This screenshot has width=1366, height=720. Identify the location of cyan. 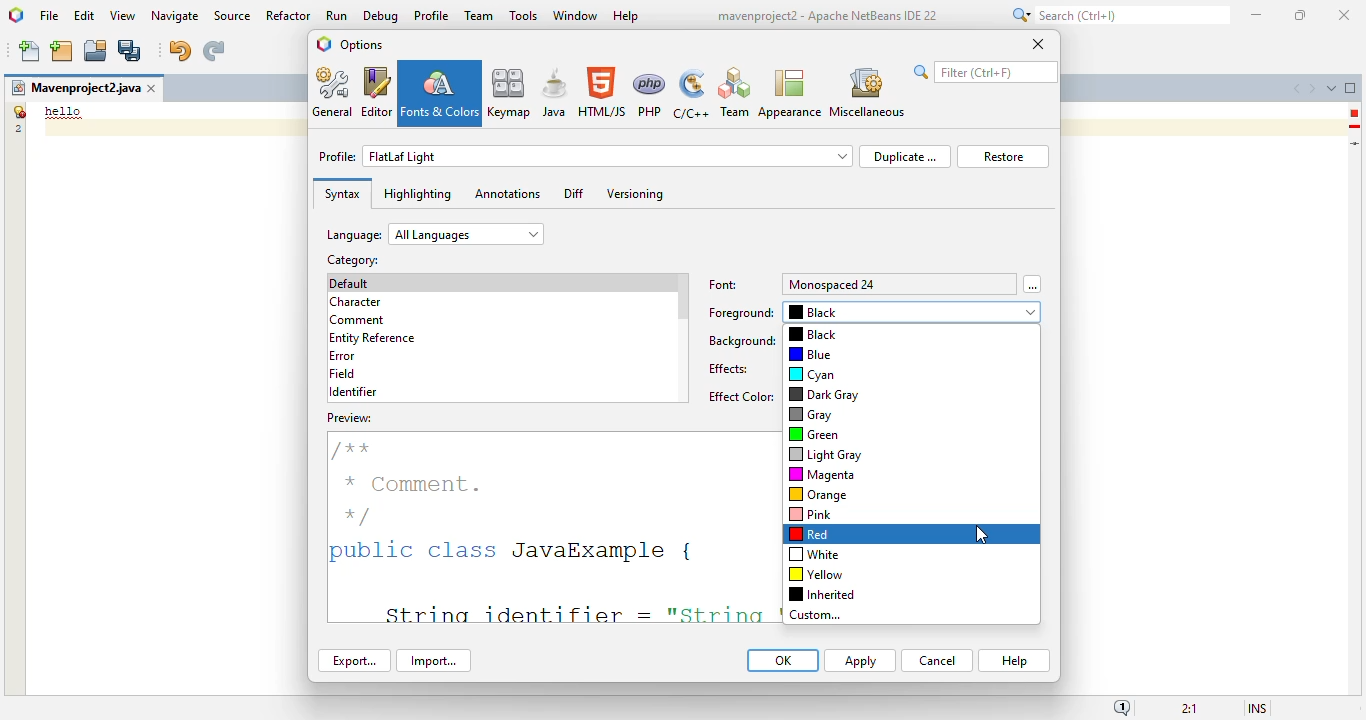
(812, 374).